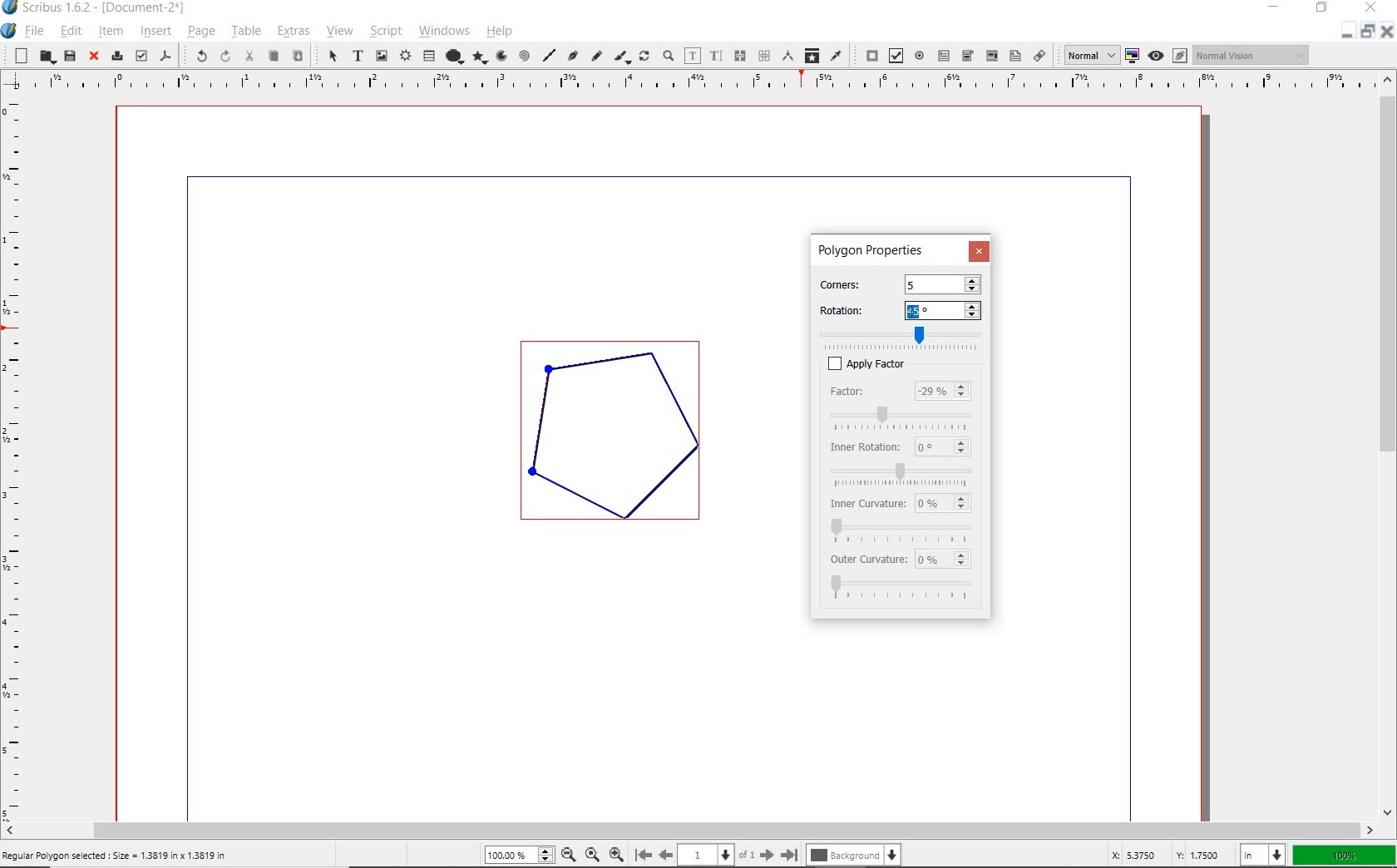  I want to click on pdf check box, so click(894, 57).